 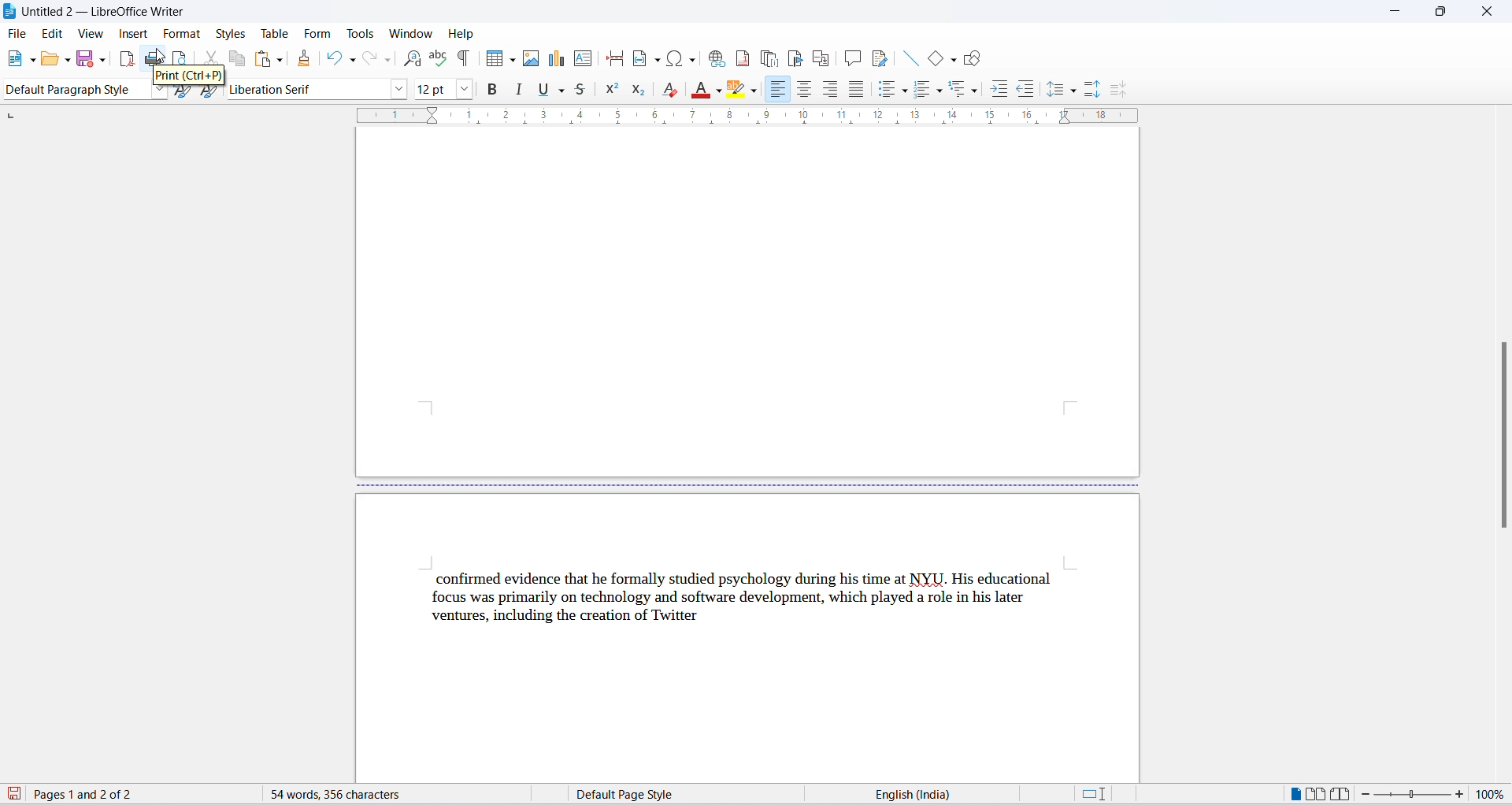 I want to click on increase indent, so click(x=999, y=91).